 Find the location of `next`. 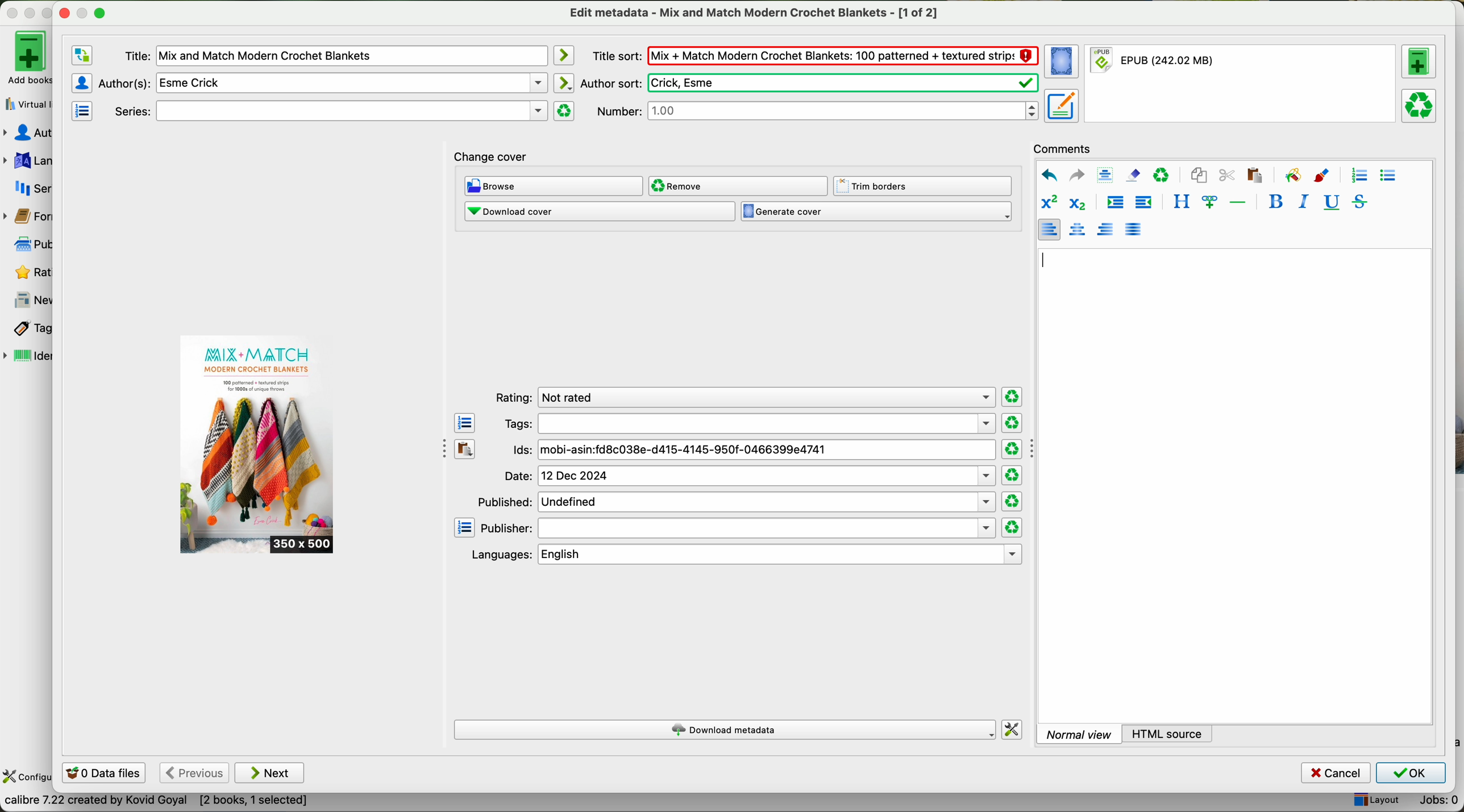

next is located at coordinates (270, 773).